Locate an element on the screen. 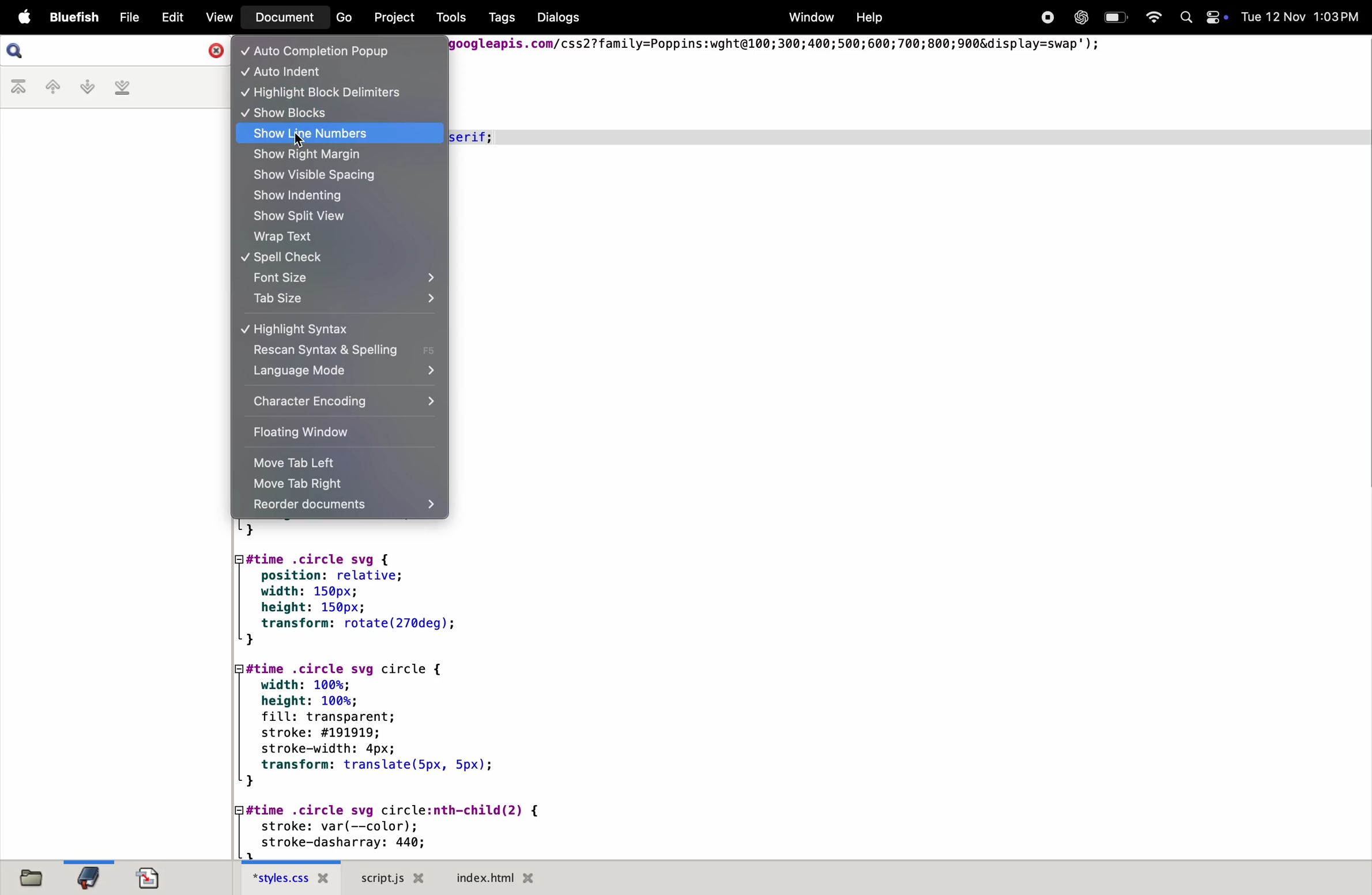 Image resolution: width=1372 pixels, height=895 pixels. show blocks is located at coordinates (338, 112).